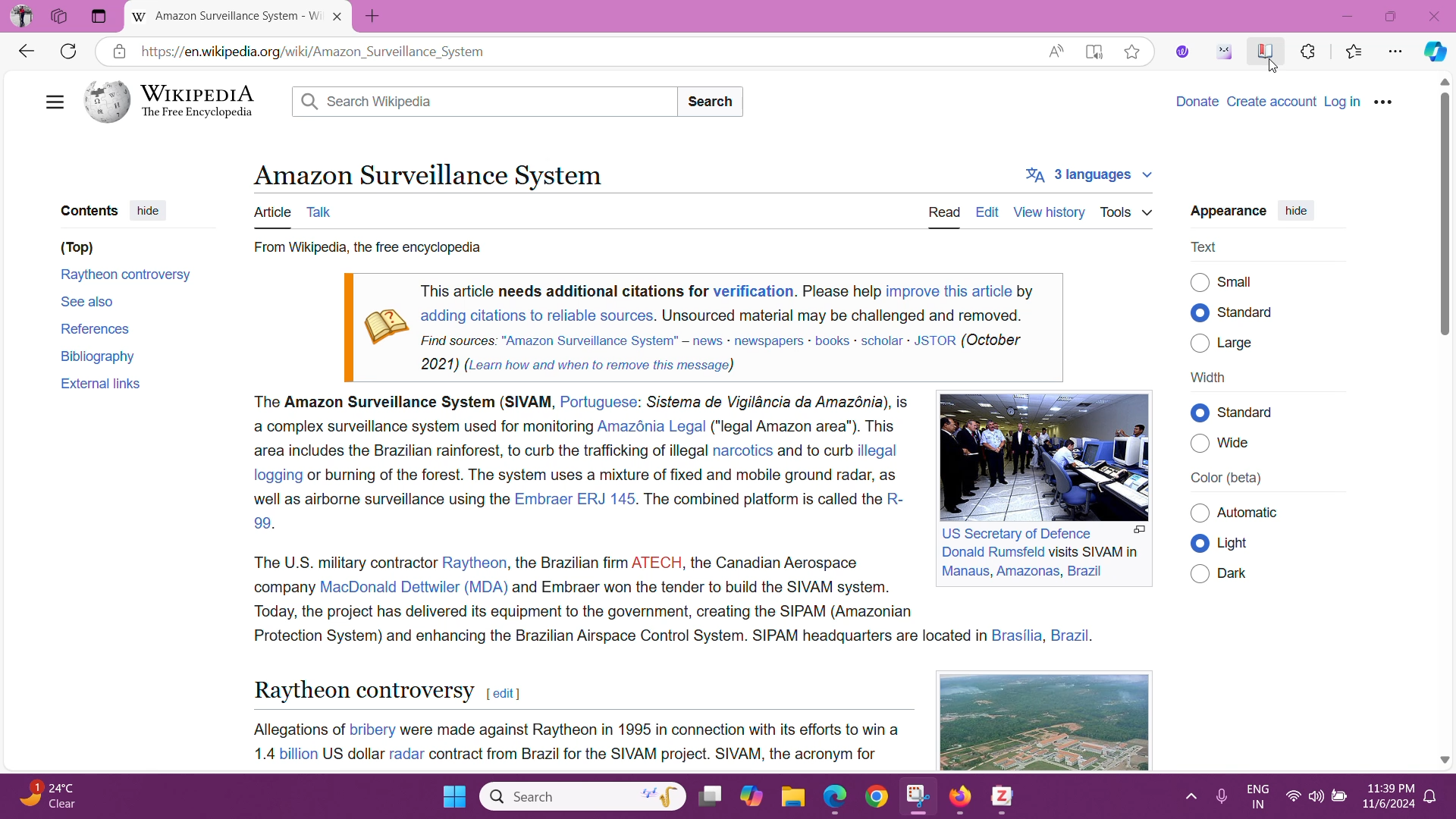 The height and width of the screenshot is (819, 1456). What do you see at coordinates (1308, 50) in the screenshot?
I see `Extensions` at bounding box center [1308, 50].